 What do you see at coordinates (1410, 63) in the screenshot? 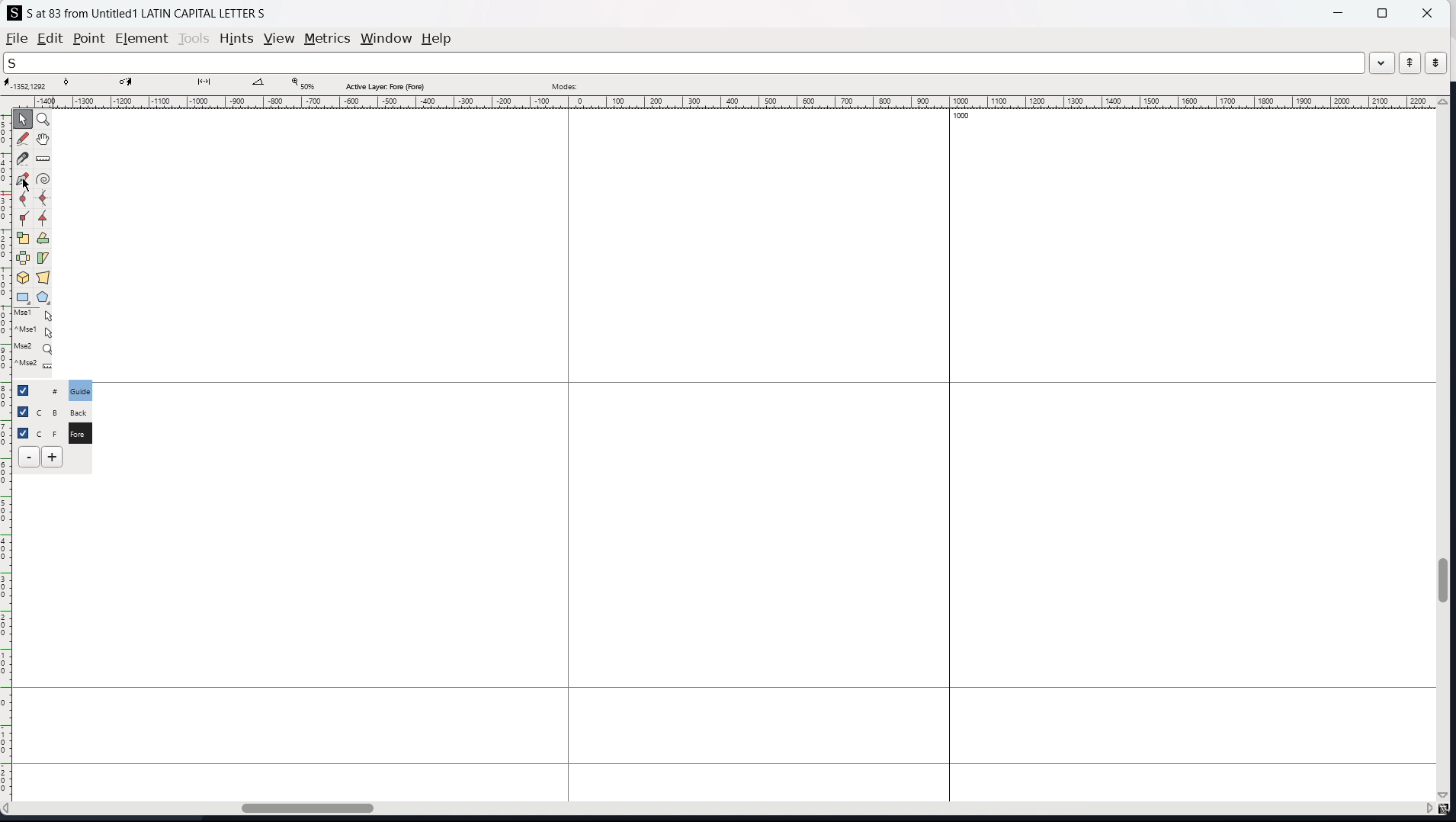
I see `previous word in the word list` at bounding box center [1410, 63].